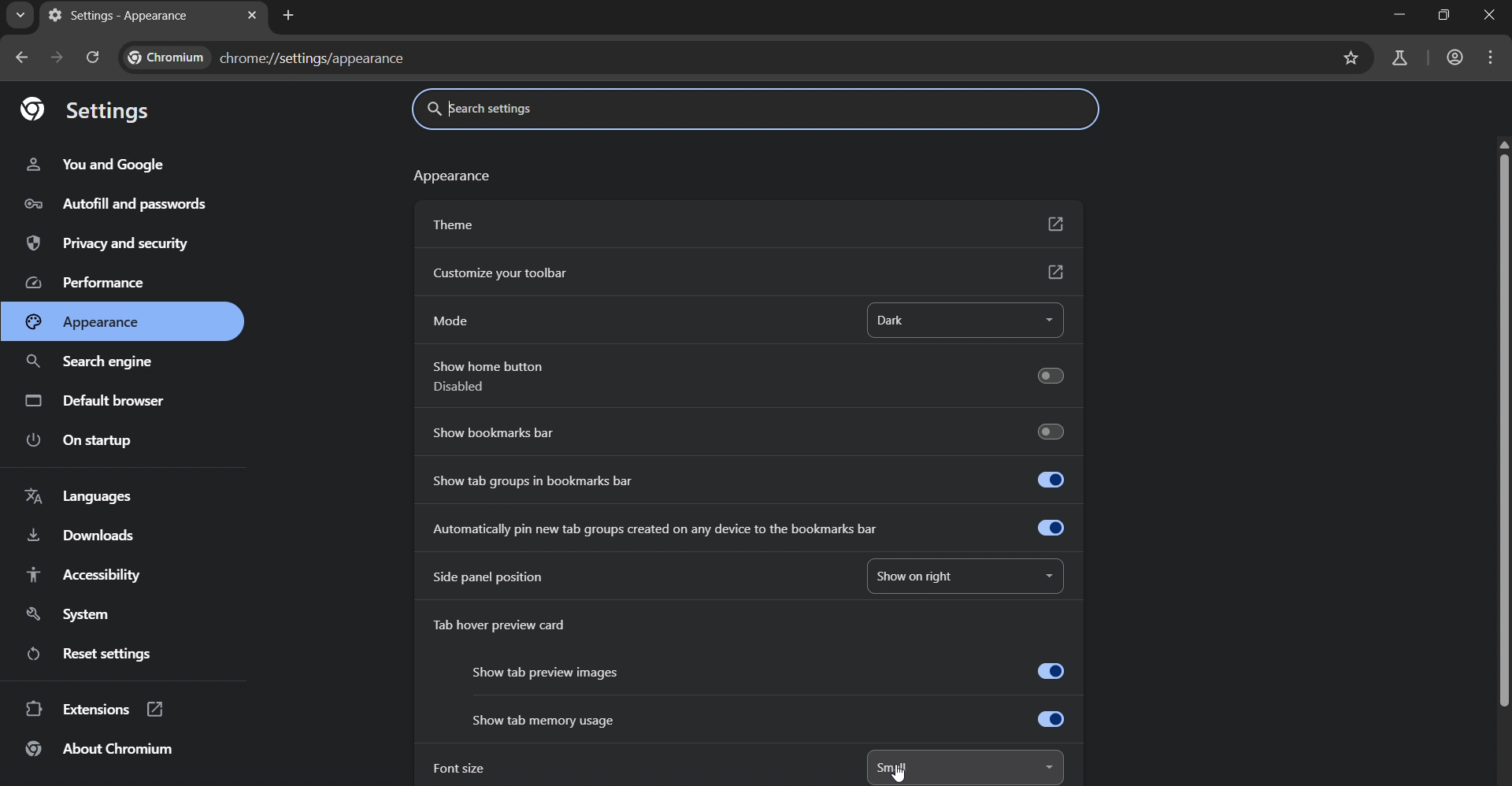 The width and height of the screenshot is (1512, 786). I want to click on privacy & security, so click(109, 246).